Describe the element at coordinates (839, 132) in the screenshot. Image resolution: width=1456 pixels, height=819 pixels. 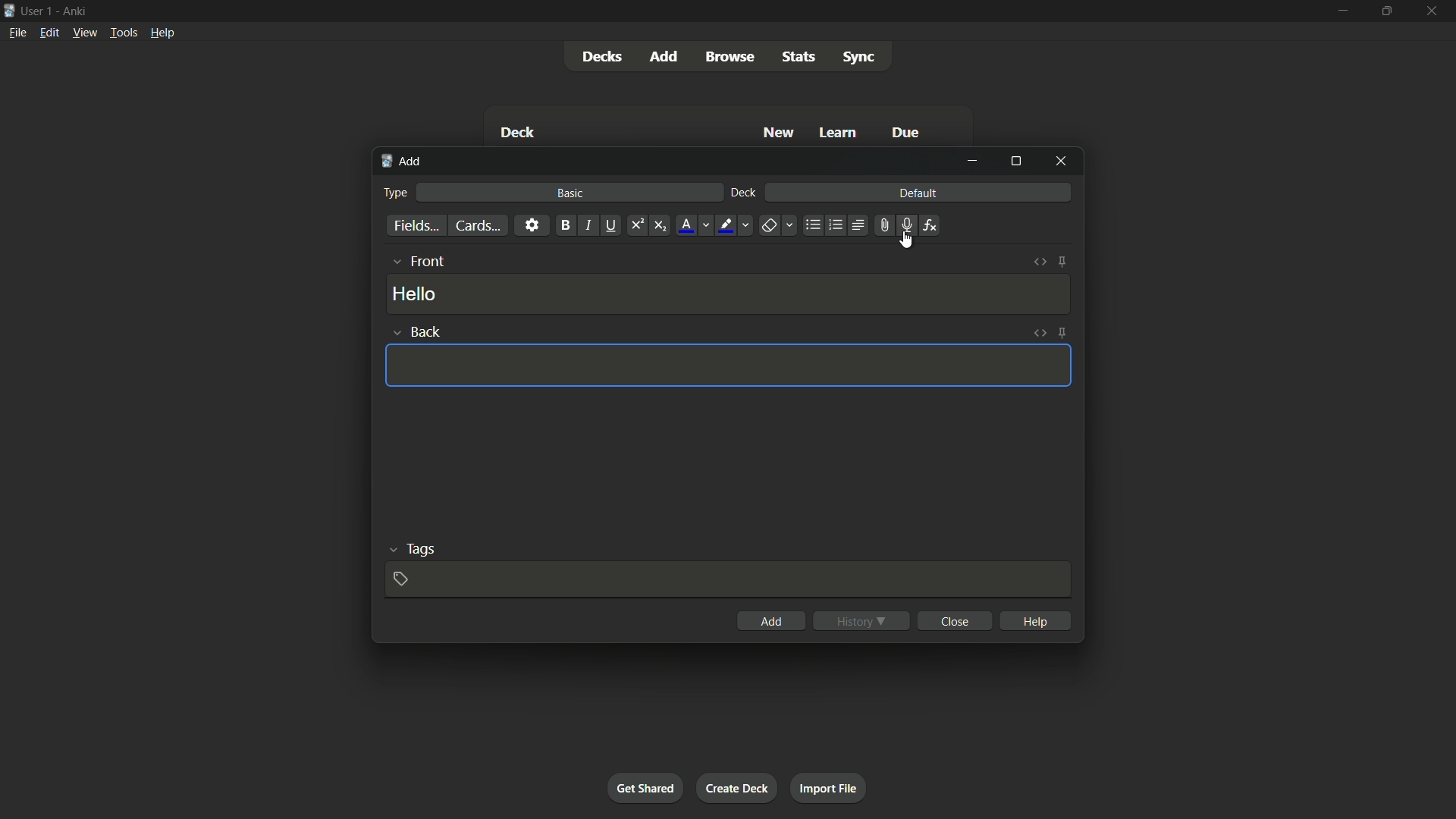
I see `learn` at that location.